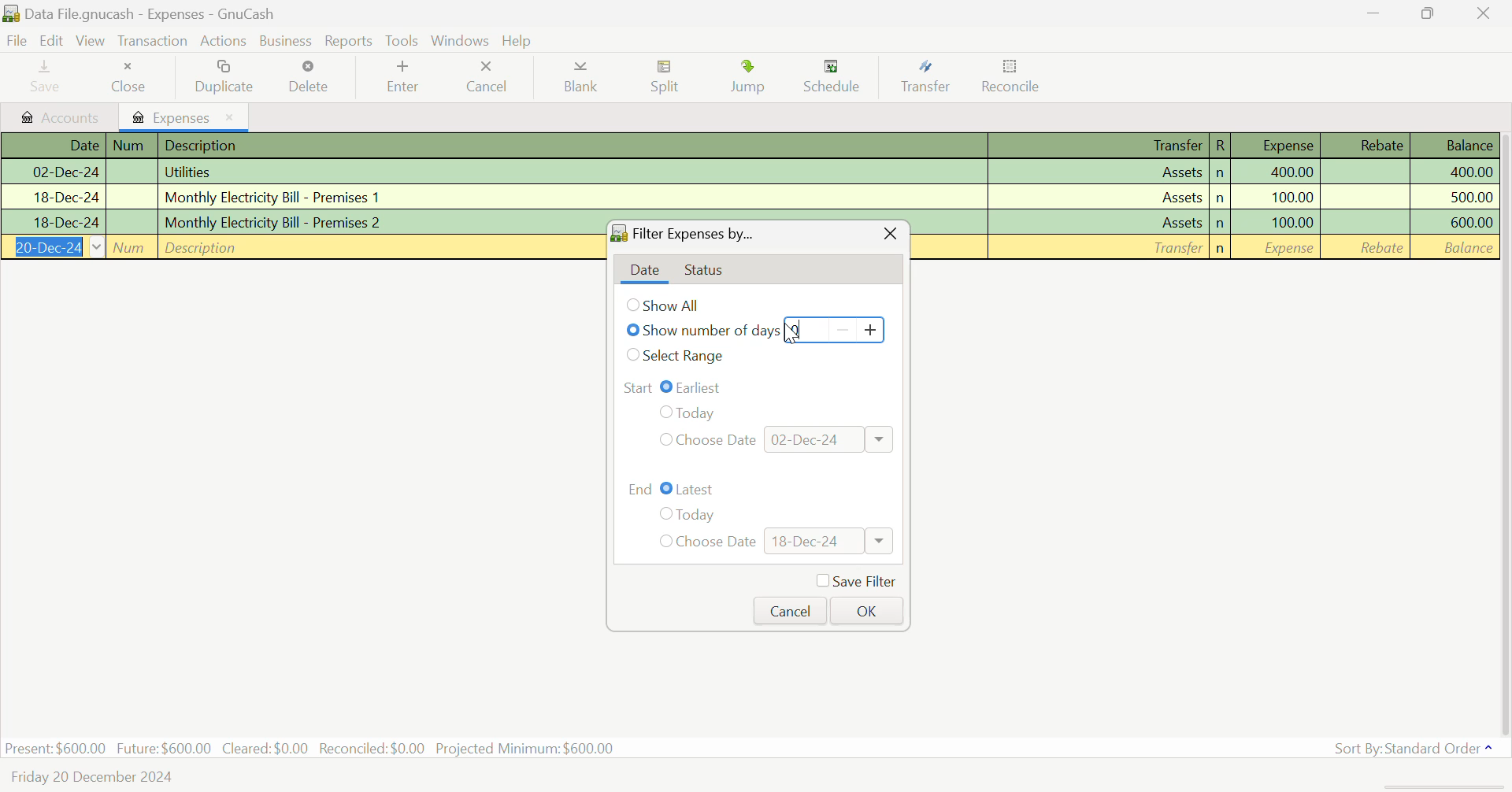  I want to click on Counter Selected to Type In, so click(832, 328).